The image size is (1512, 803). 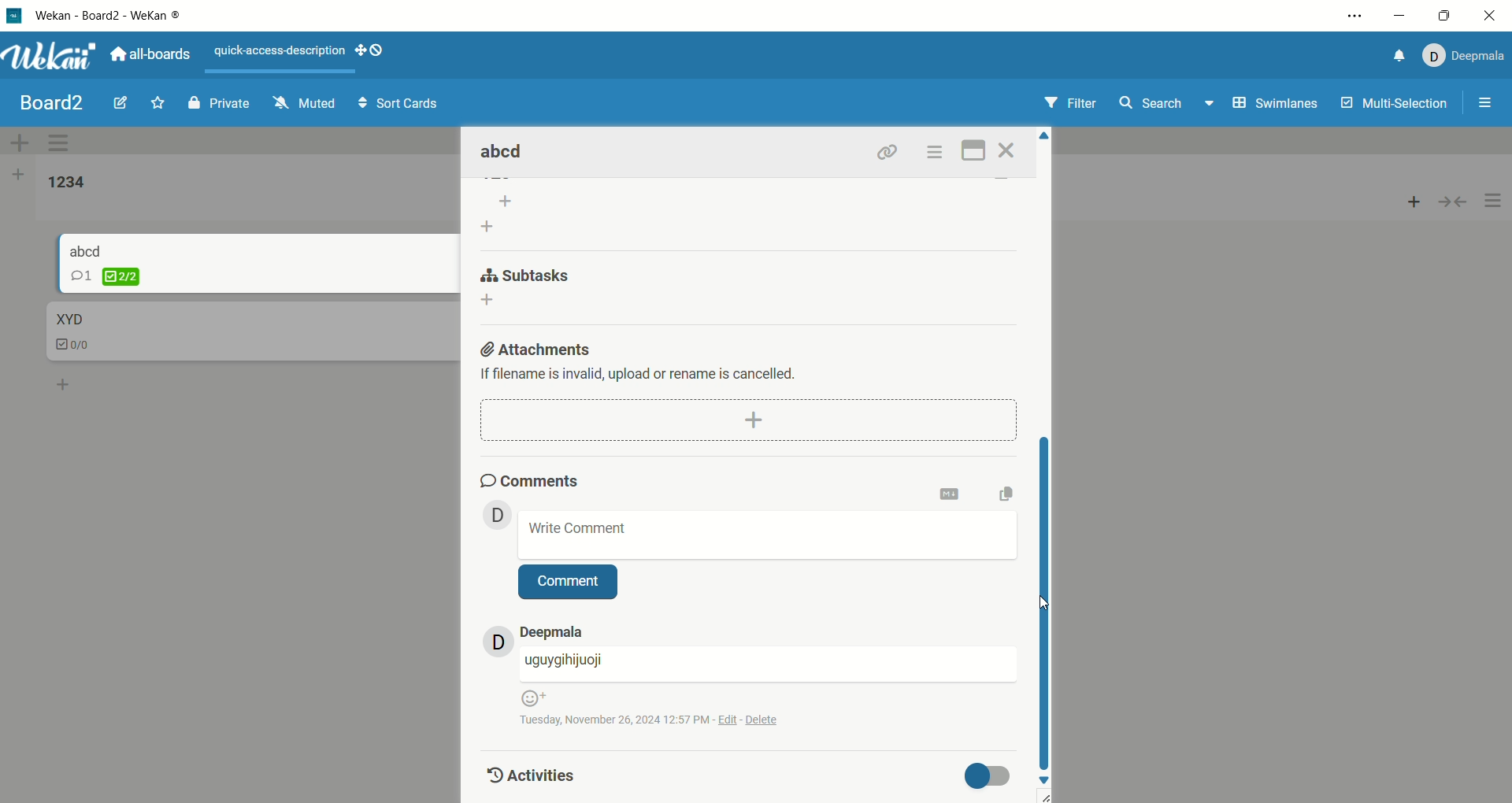 What do you see at coordinates (769, 535) in the screenshot?
I see `write comment` at bounding box center [769, 535].